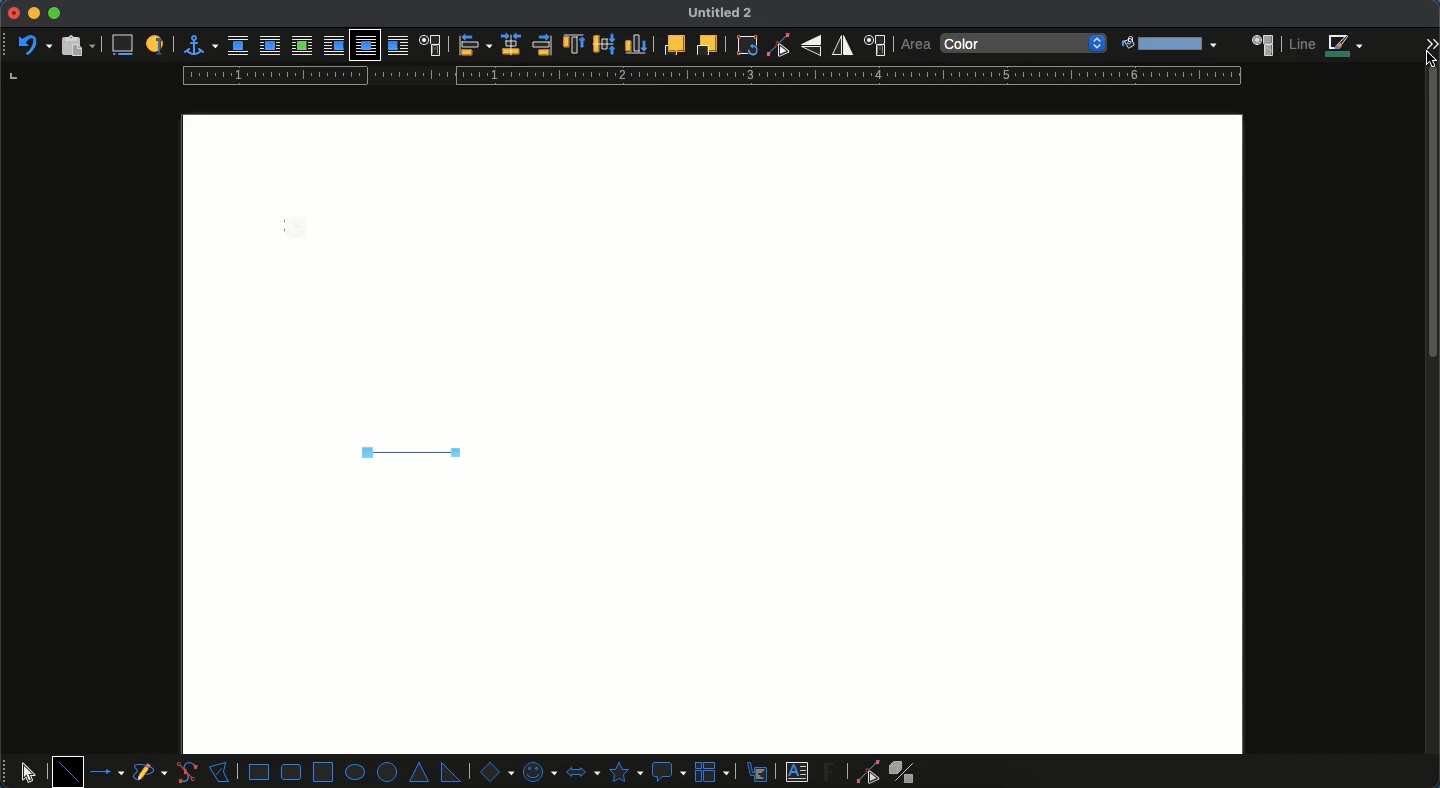 The image size is (1440, 788). I want to click on Toggle point edit mode, so click(778, 46).